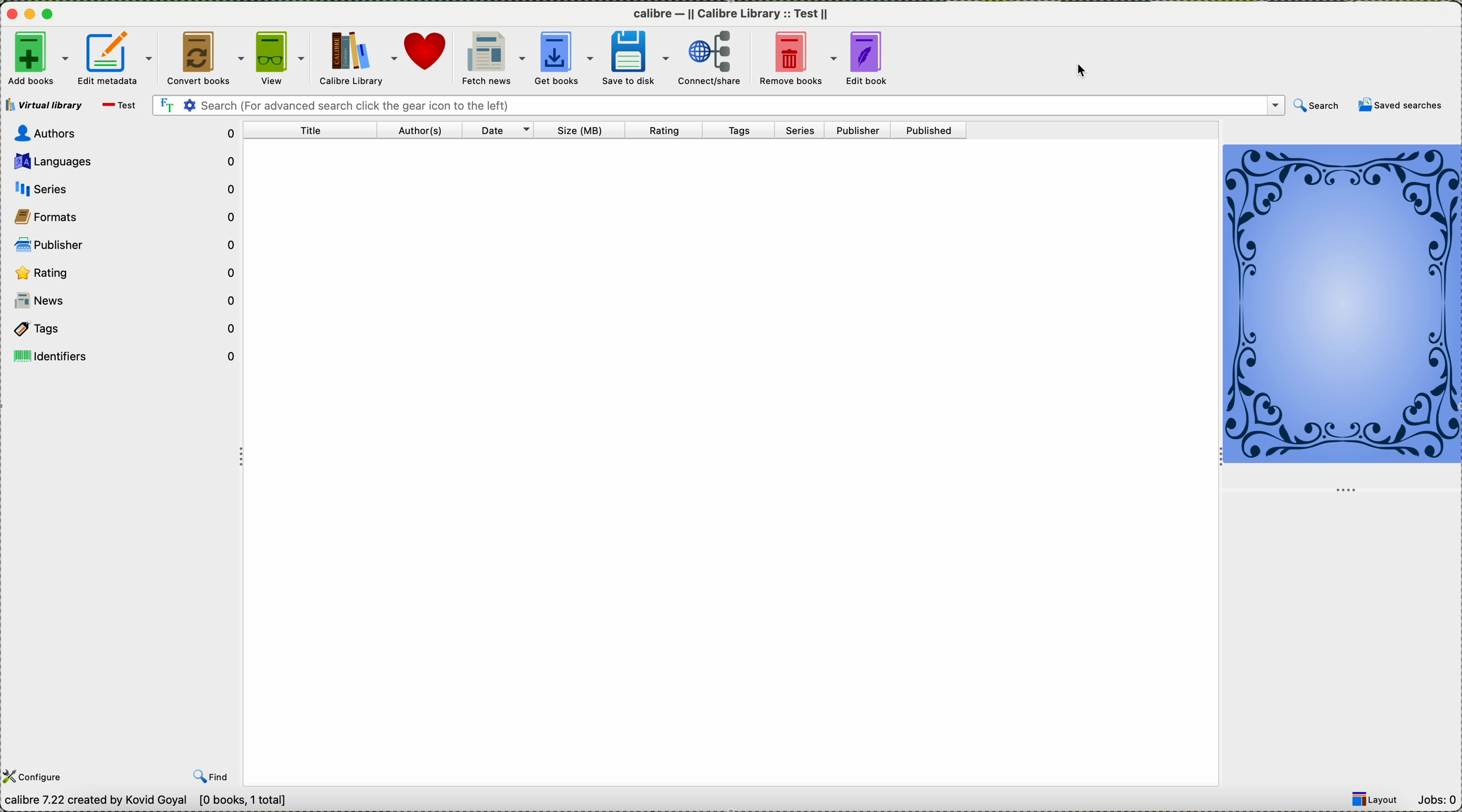 The height and width of the screenshot is (812, 1462). Describe the element at coordinates (160, 801) in the screenshot. I see `Callibre 7.22 created by Kavid Goyal [one book,1 selected]` at that location.